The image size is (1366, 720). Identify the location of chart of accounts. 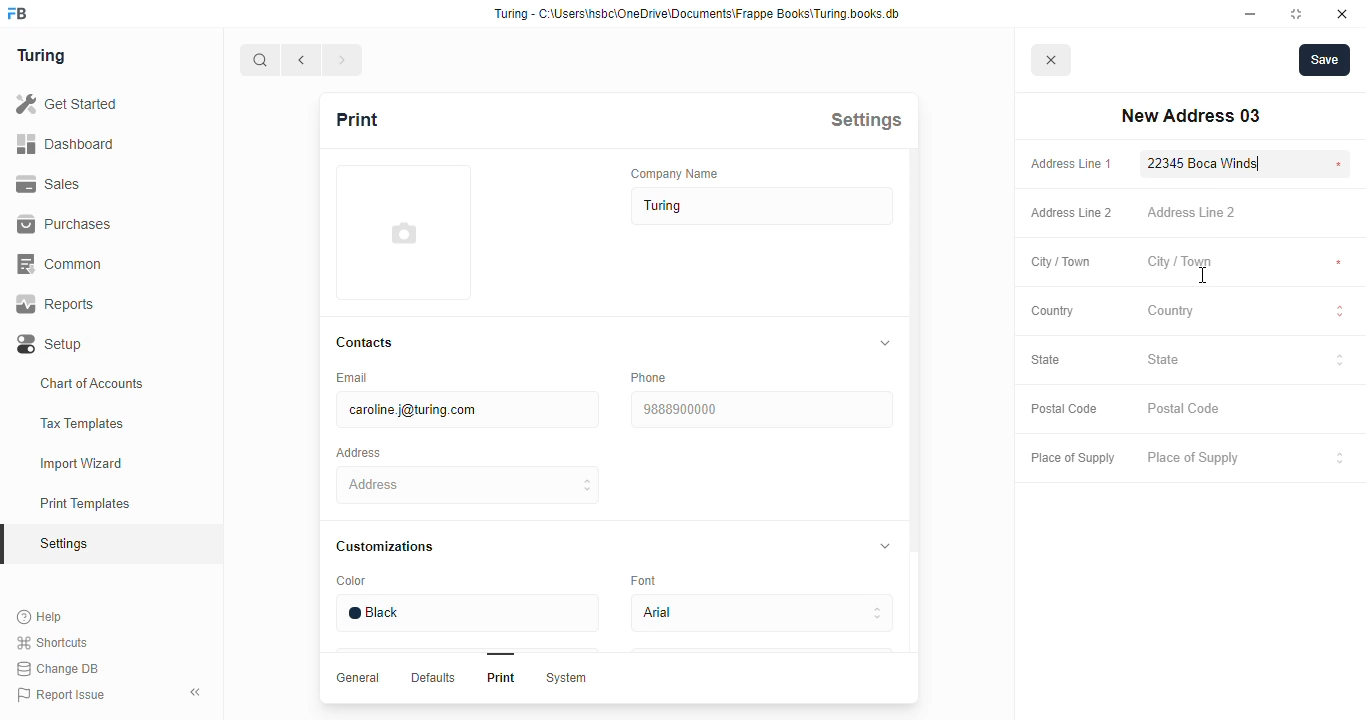
(92, 383).